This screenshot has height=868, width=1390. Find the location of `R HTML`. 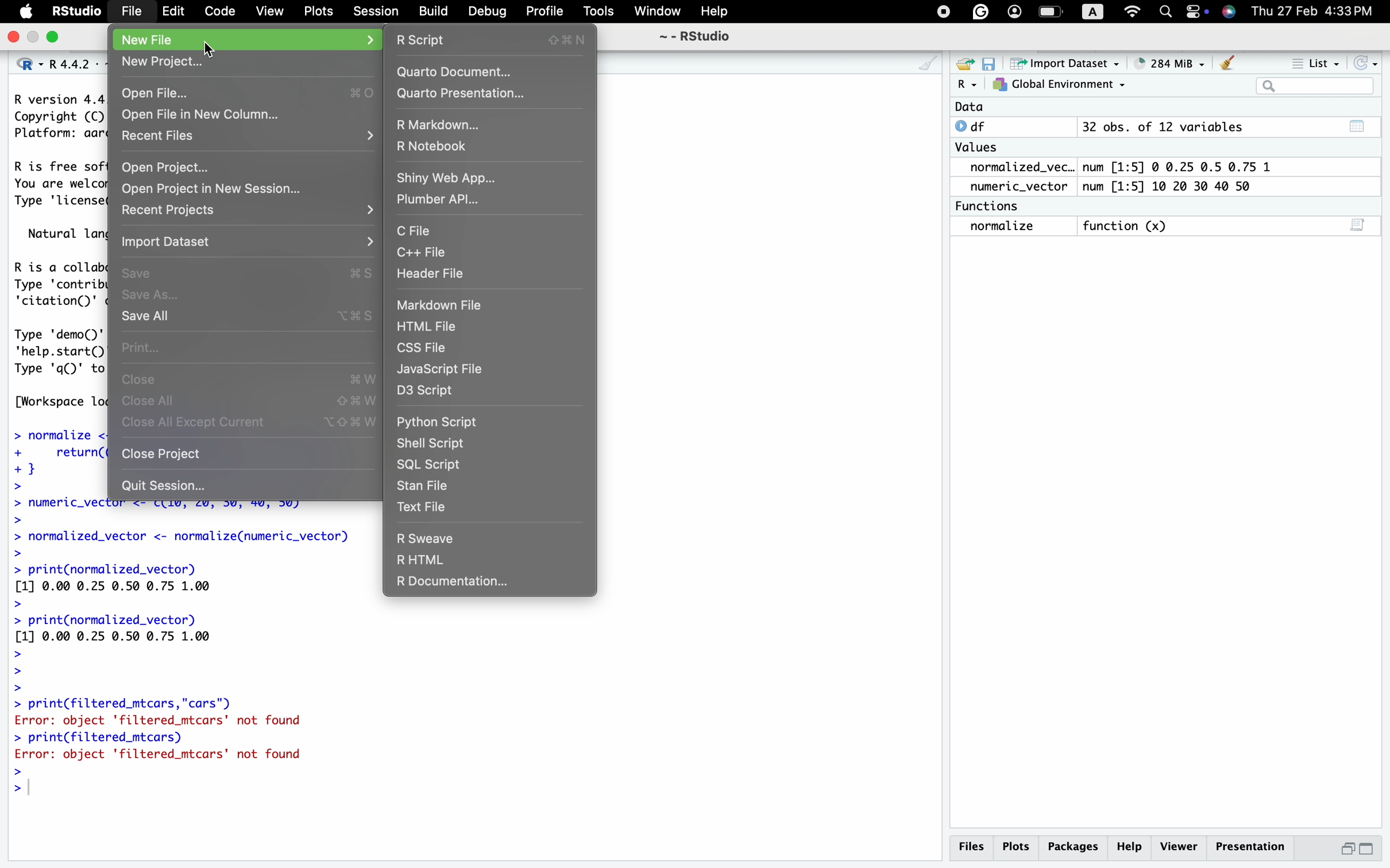

R HTML is located at coordinates (422, 560).